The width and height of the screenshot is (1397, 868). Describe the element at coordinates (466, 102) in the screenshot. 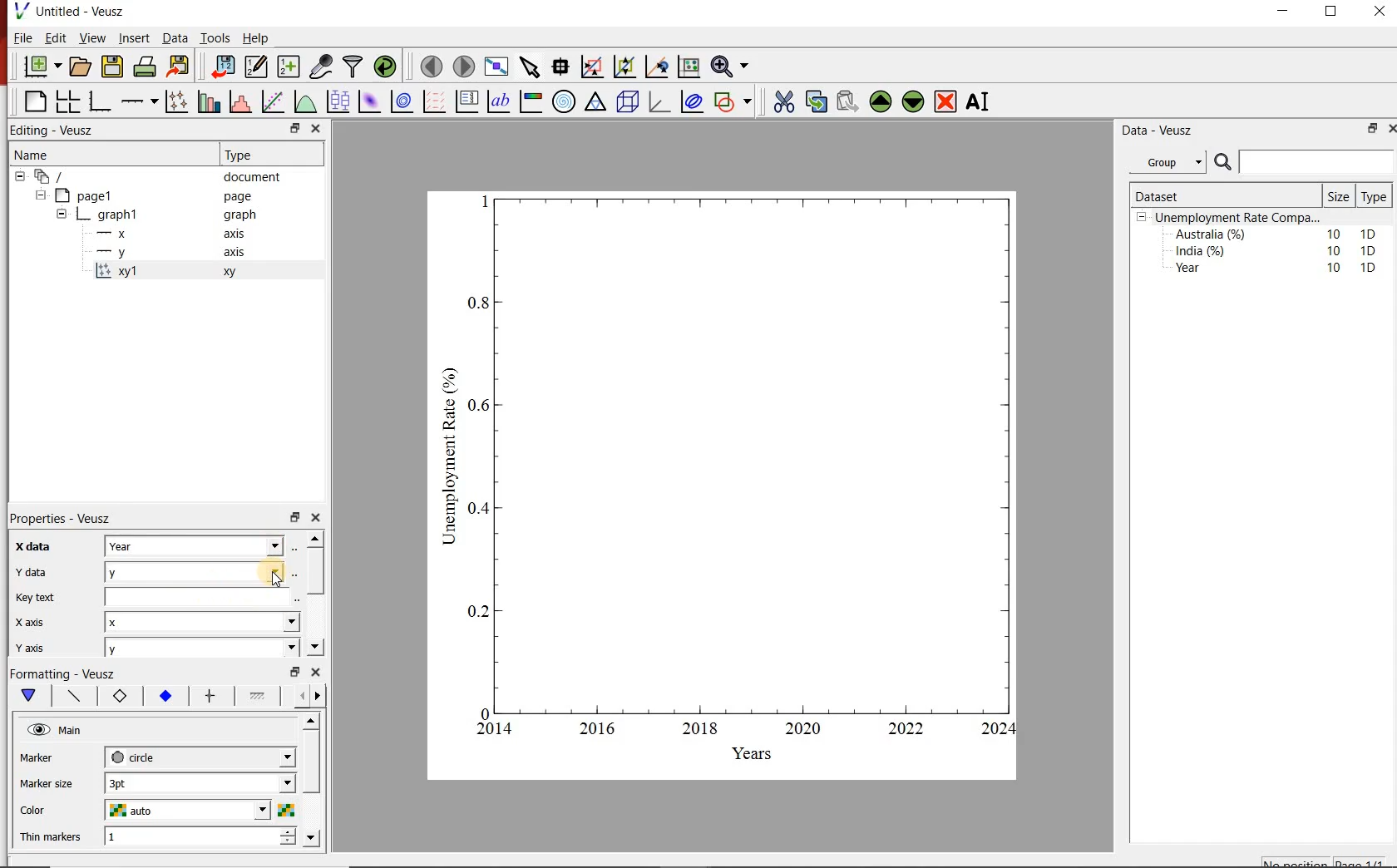

I see `plot key` at that location.